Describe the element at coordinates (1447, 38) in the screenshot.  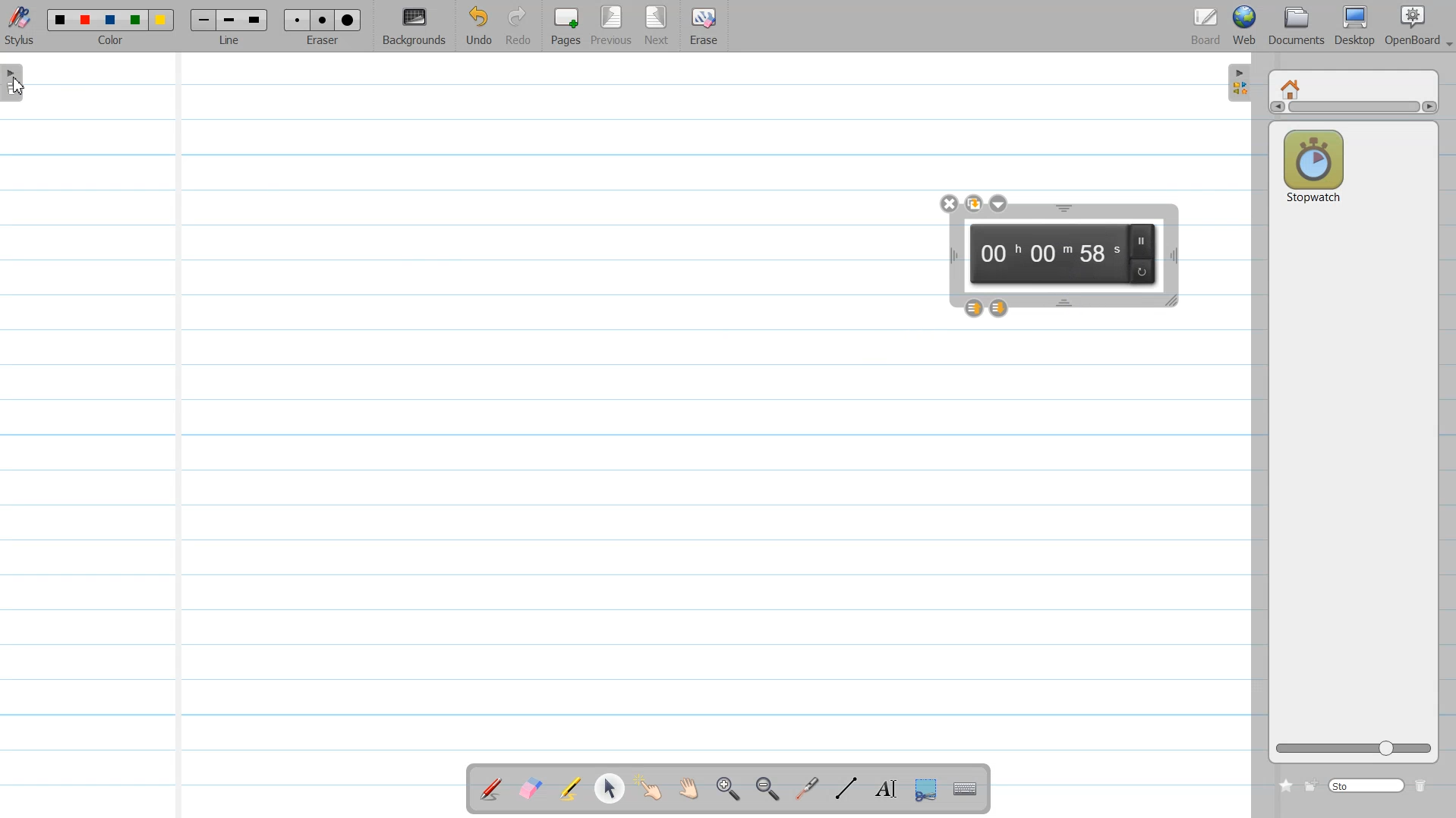
I see `Drop down box` at that location.